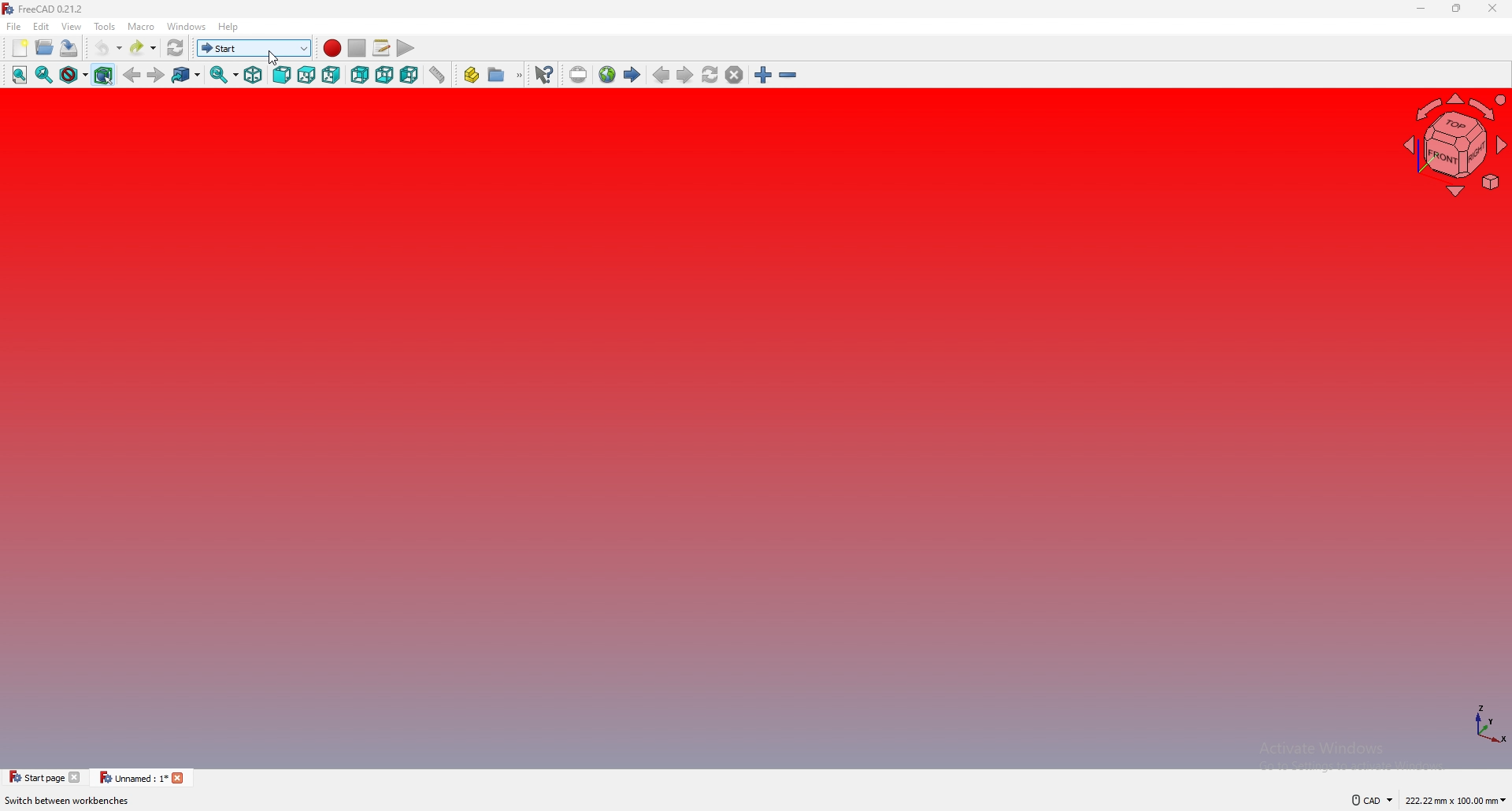 The image size is (1512, 811). Describe the element at coordinates (105, 26) in the screenshot. I see `tools` at that location.